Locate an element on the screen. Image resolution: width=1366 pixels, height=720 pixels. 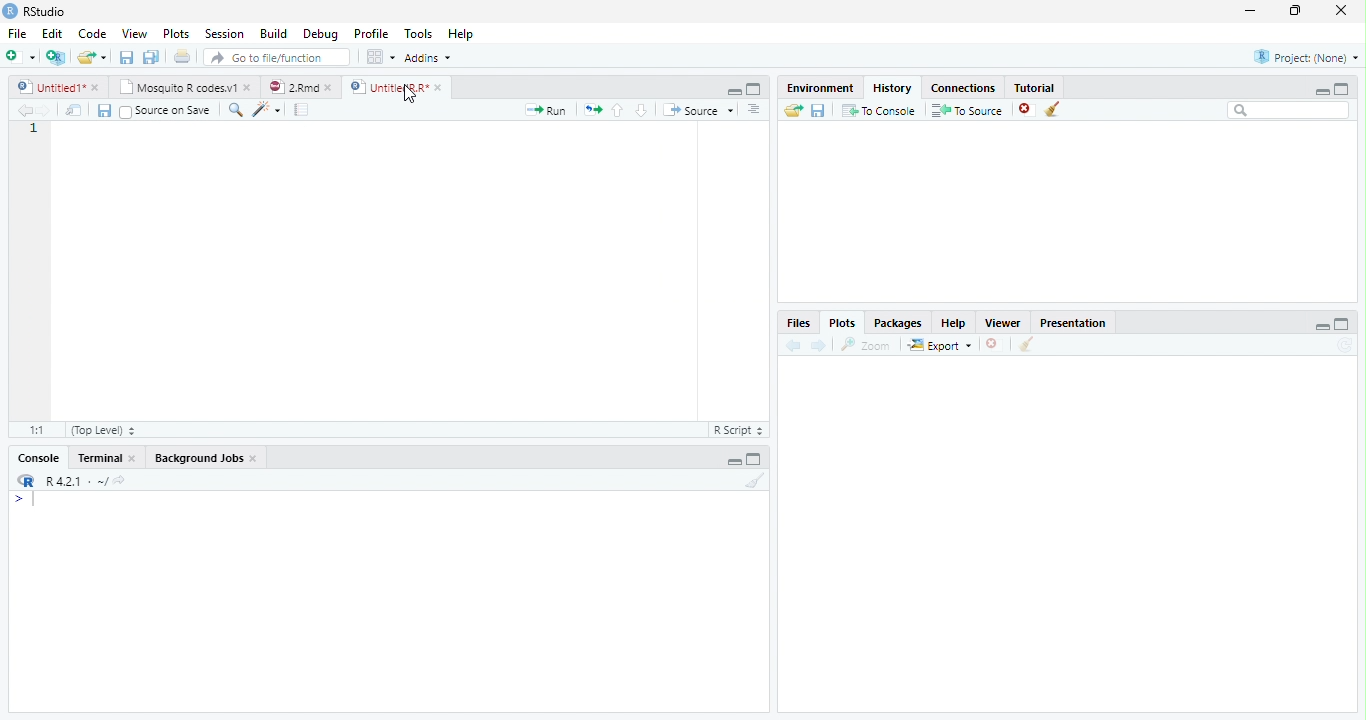
1:1 is located at coordinates (35, 430).